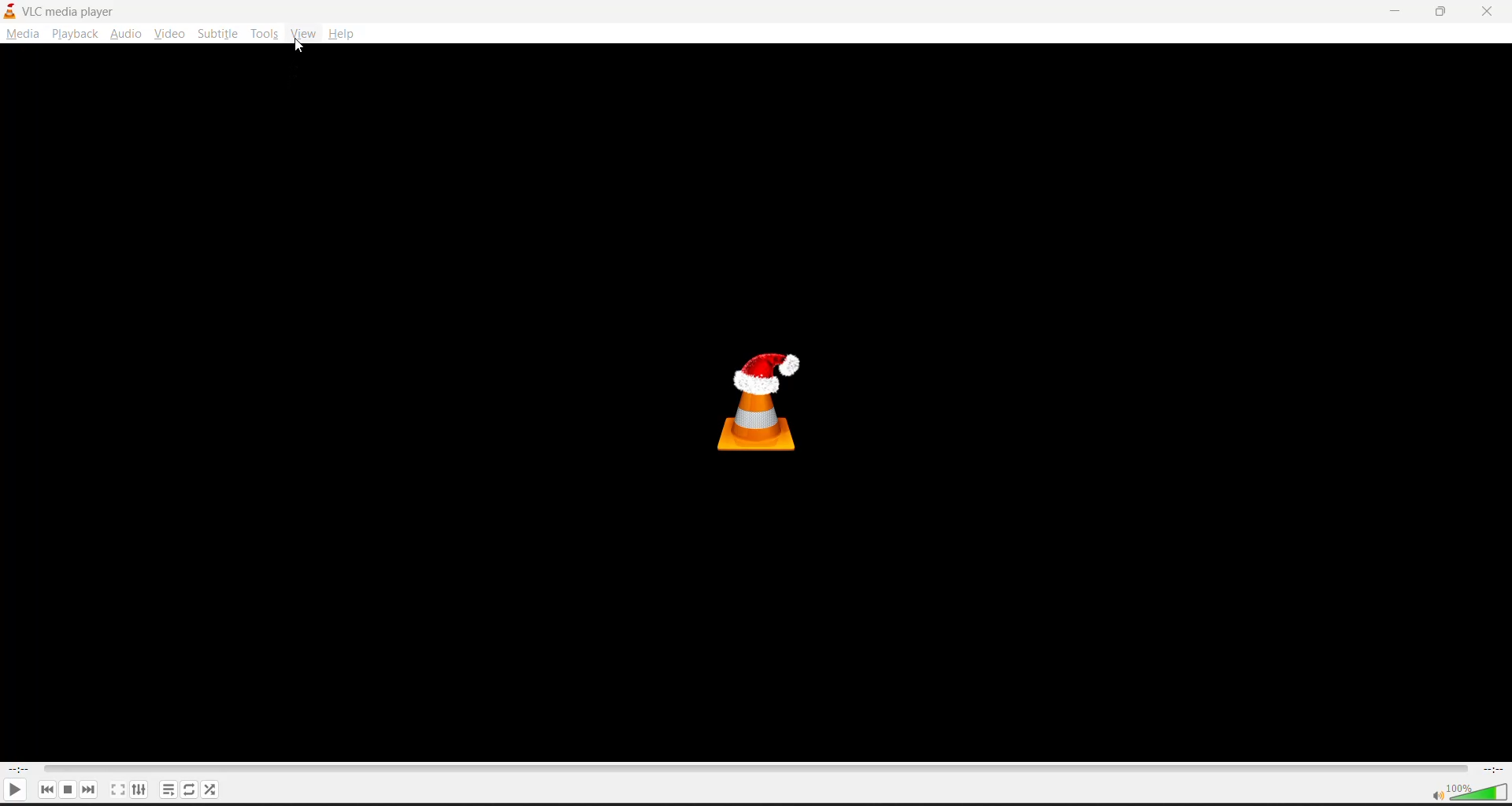 This screenshot has width=1512, height=806. Describe the element at coordinates (217, 33) in the screenshot. I see `subtitle` at that location.